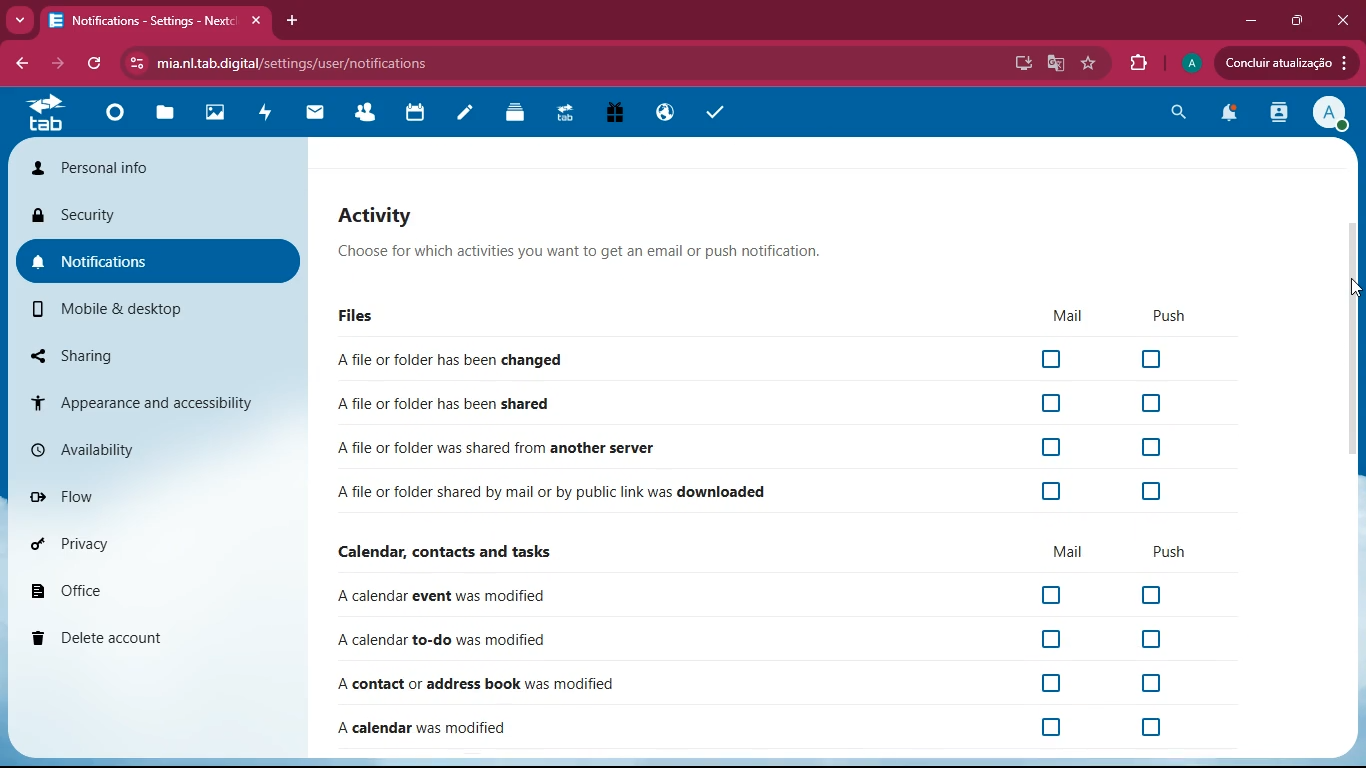  I want to click on desktop, so click(1020, 65).